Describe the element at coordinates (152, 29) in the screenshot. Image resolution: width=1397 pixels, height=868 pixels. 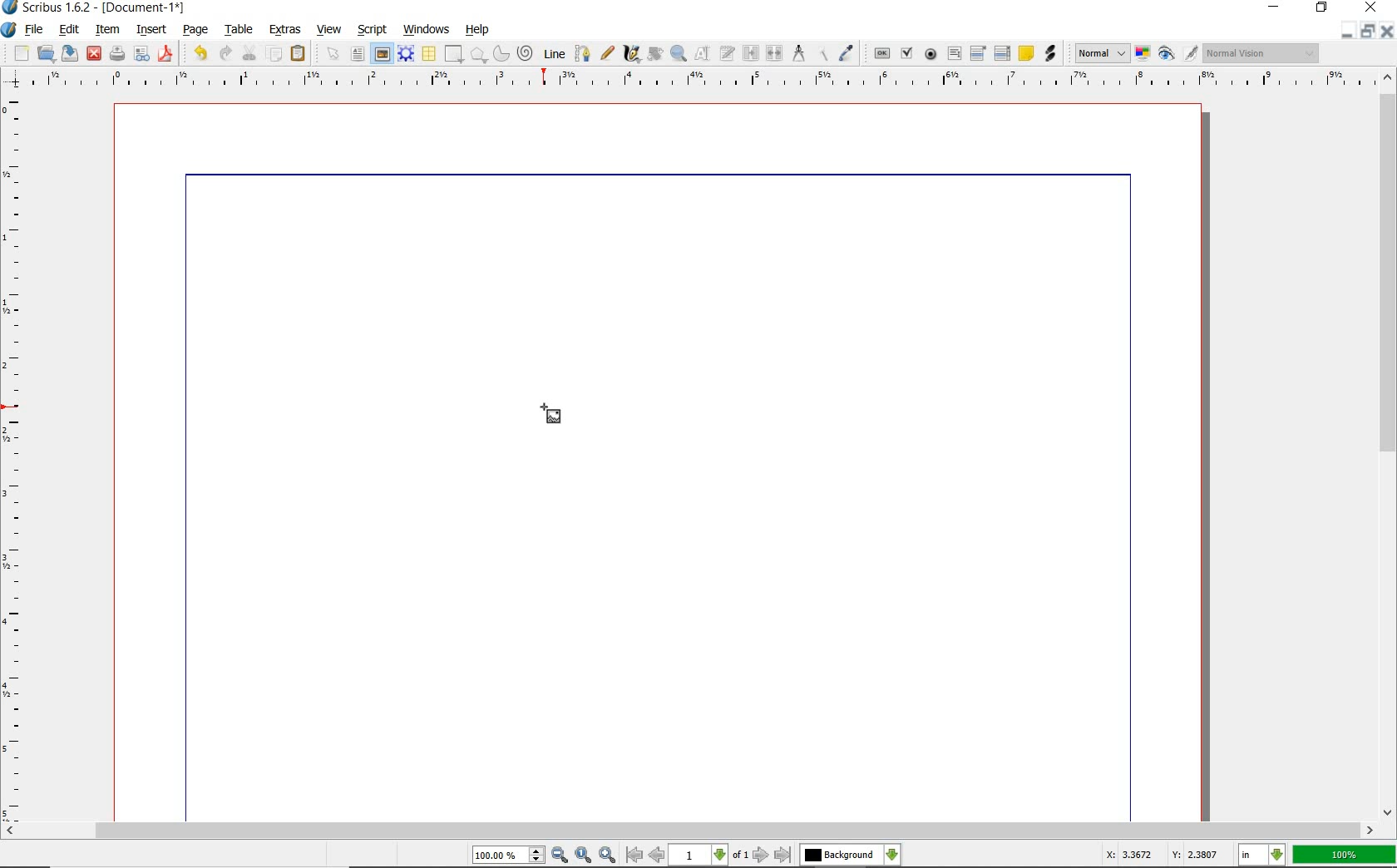
I see `insert` at that location.